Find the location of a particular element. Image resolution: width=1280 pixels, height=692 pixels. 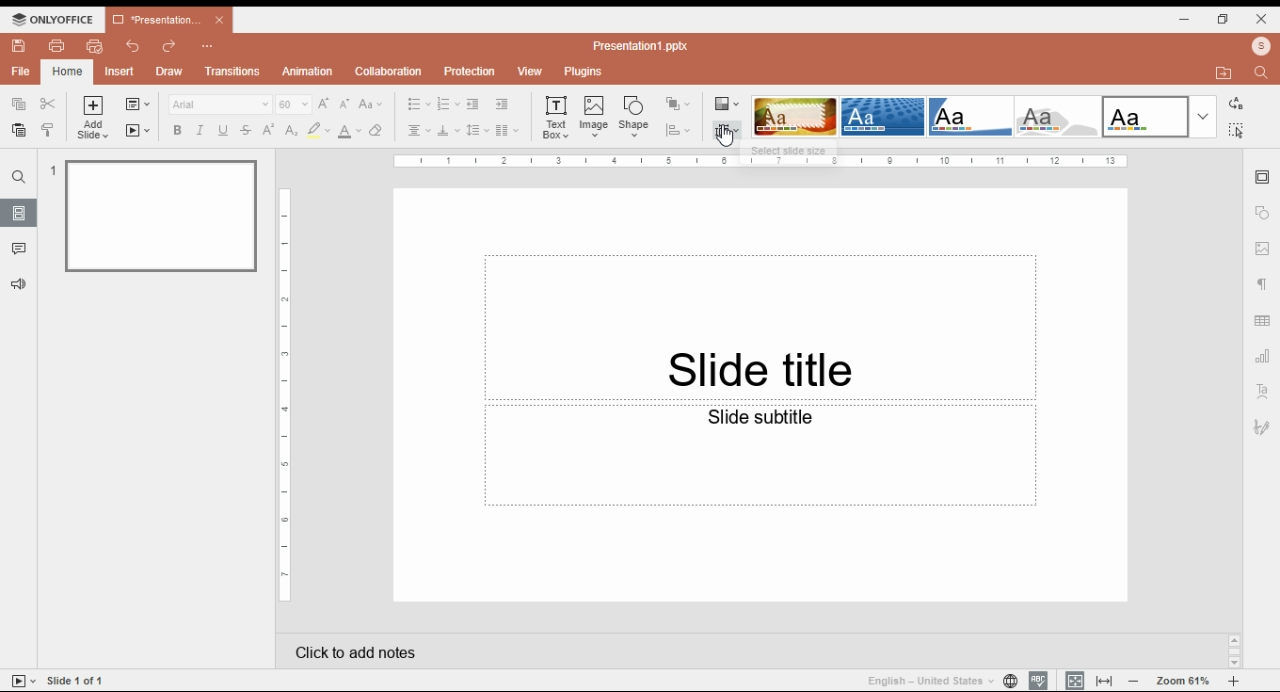

add slide is located at coordinates (95, 118).